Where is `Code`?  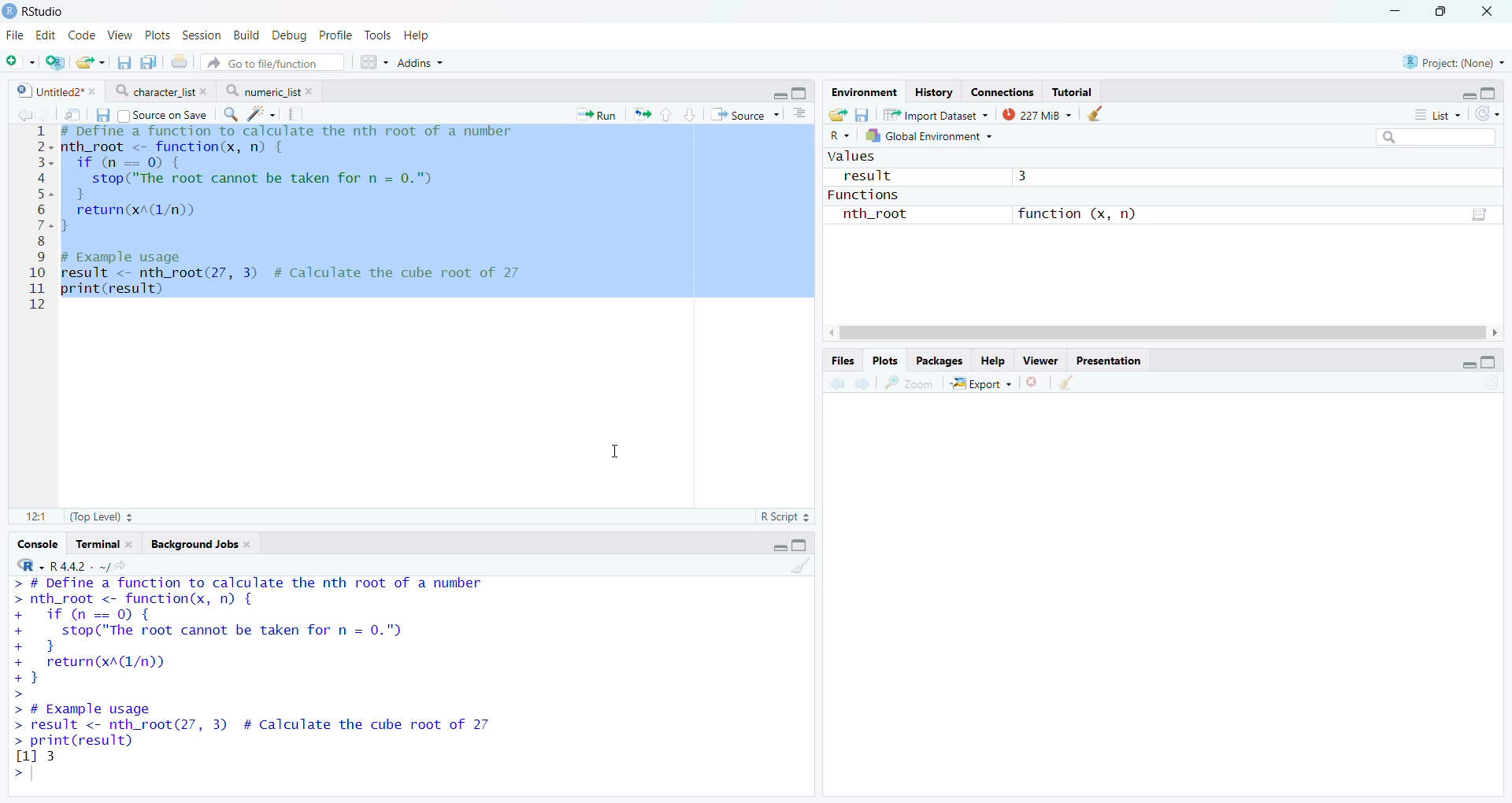 Code is located at coordinates (82, 35).